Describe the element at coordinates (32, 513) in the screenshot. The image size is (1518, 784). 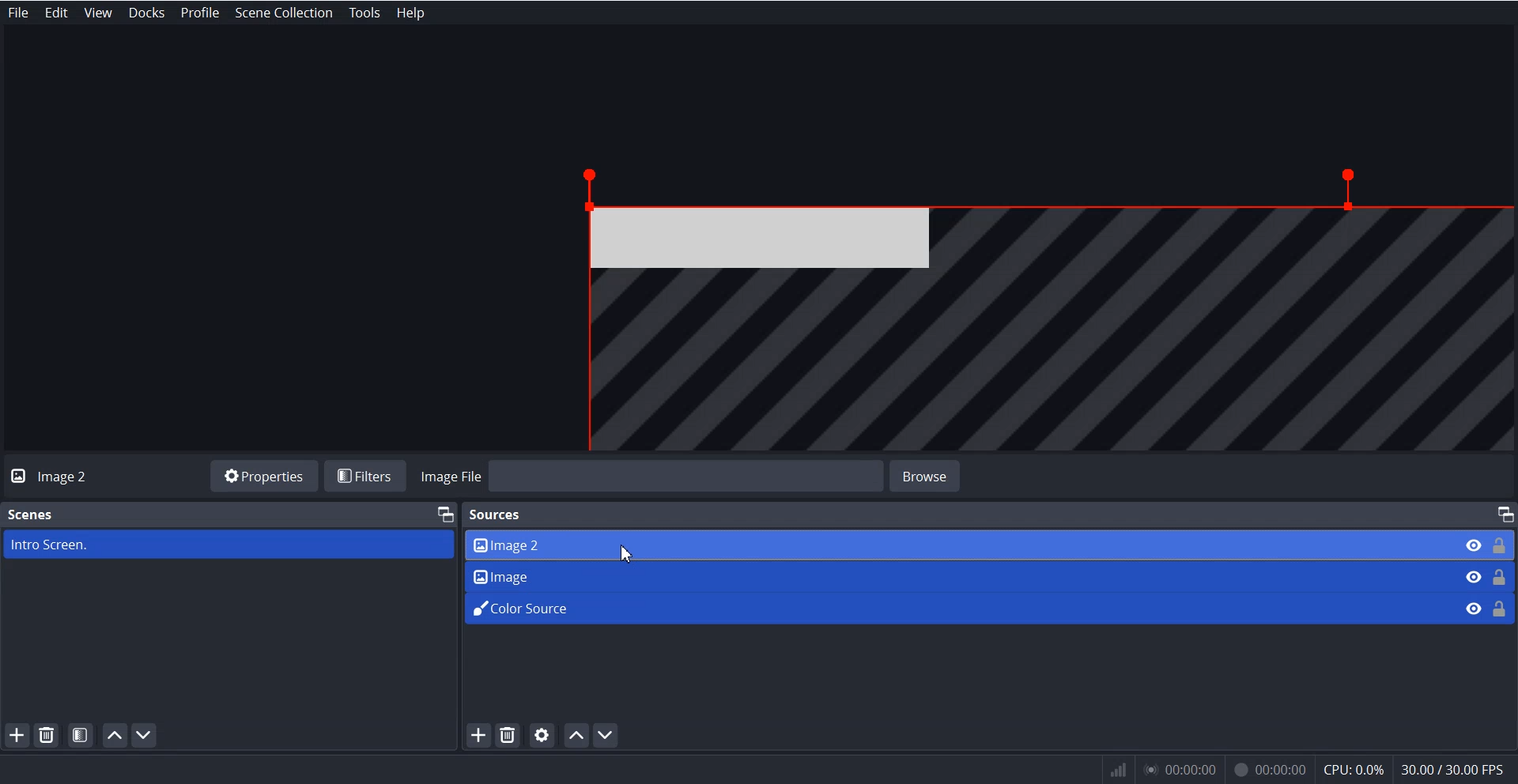
I see `Scenes` at that location.